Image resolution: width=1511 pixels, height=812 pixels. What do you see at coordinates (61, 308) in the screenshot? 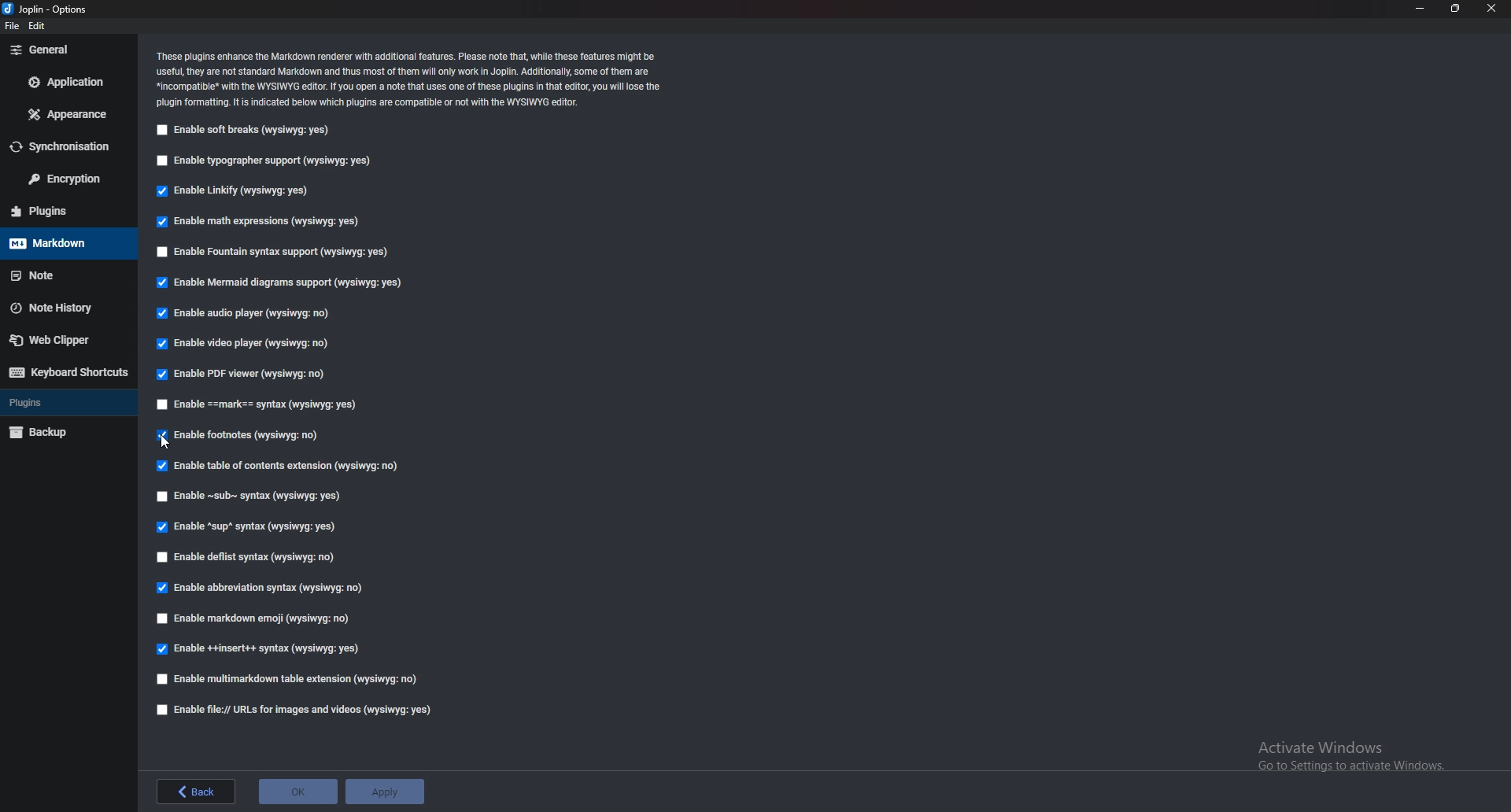
I see `Note history` at bounding box center [61, 308].